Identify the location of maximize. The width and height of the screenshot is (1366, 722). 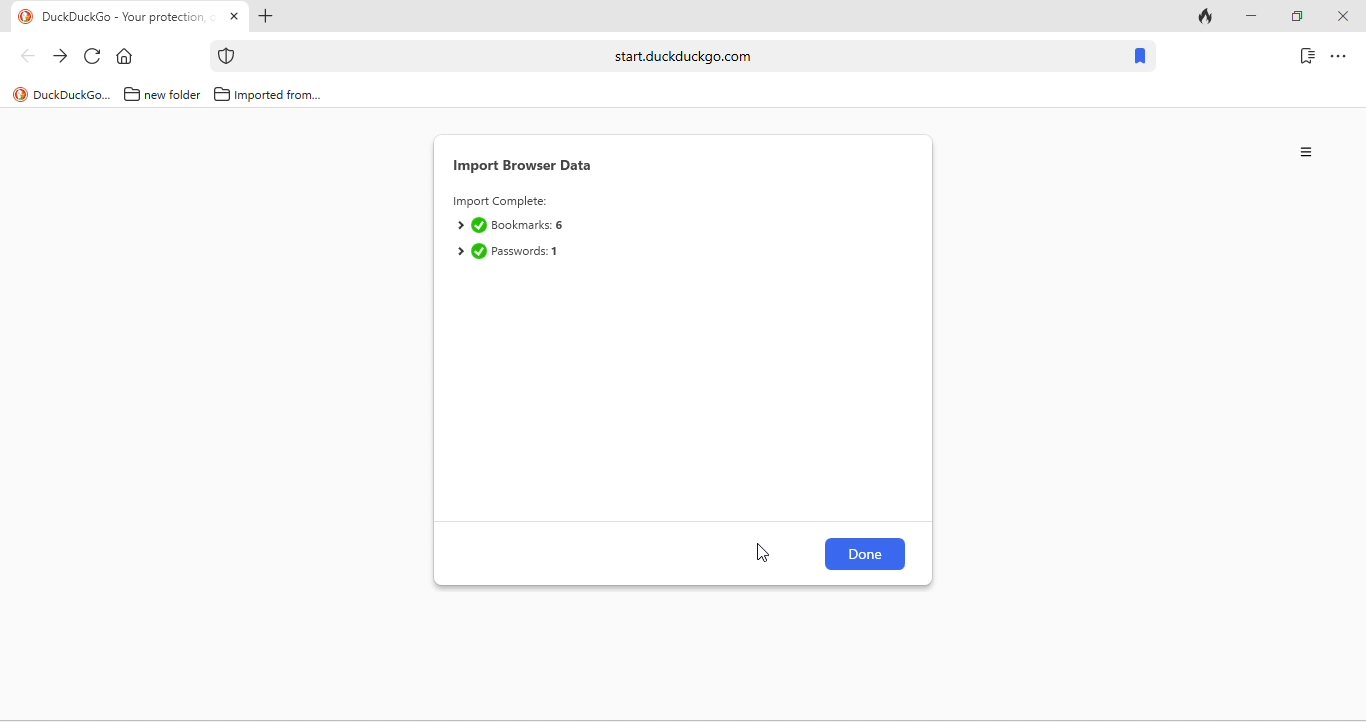
(1296, 17).